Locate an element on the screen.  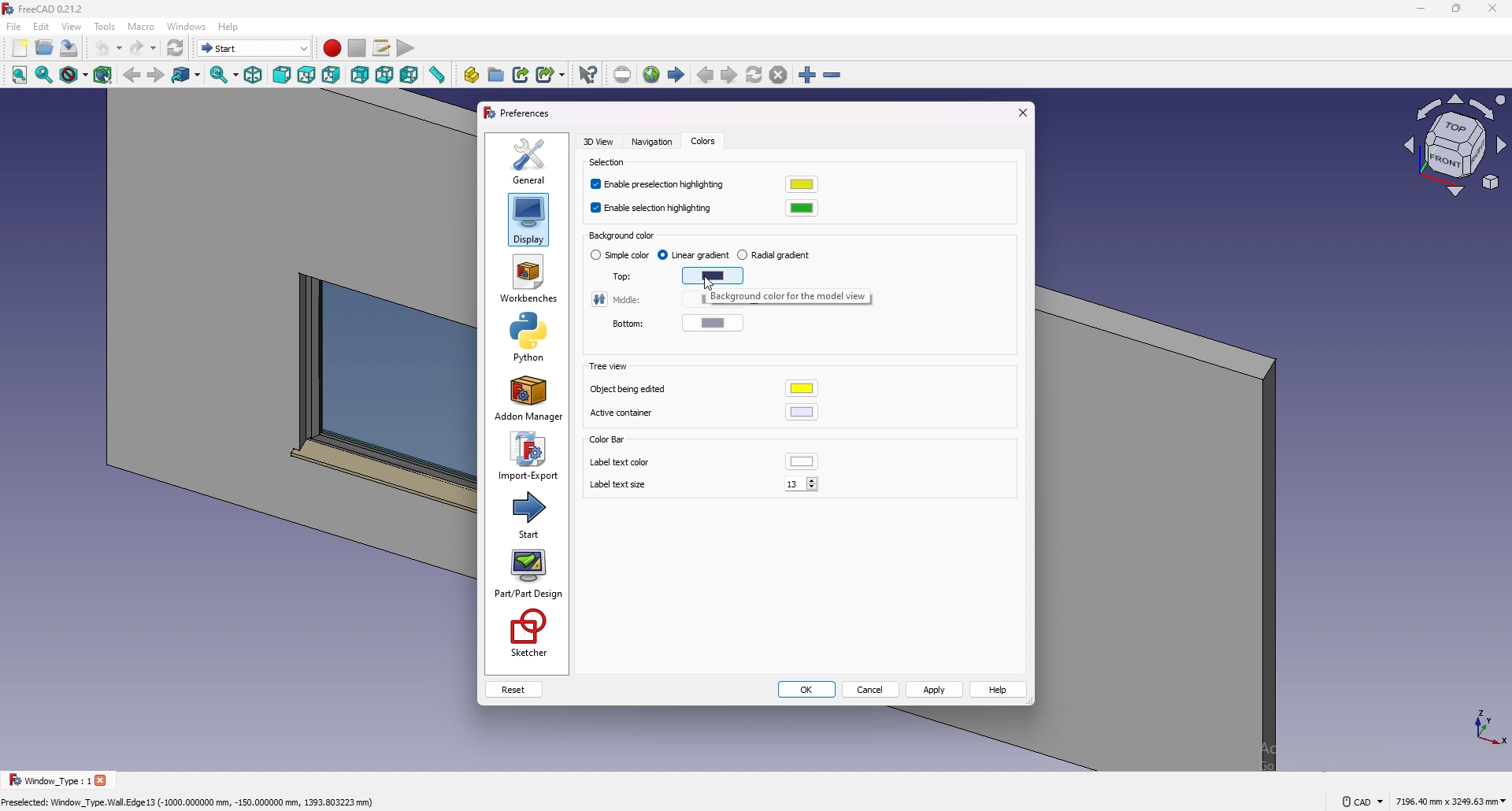
sketcher is located at coordinates (527, 634).